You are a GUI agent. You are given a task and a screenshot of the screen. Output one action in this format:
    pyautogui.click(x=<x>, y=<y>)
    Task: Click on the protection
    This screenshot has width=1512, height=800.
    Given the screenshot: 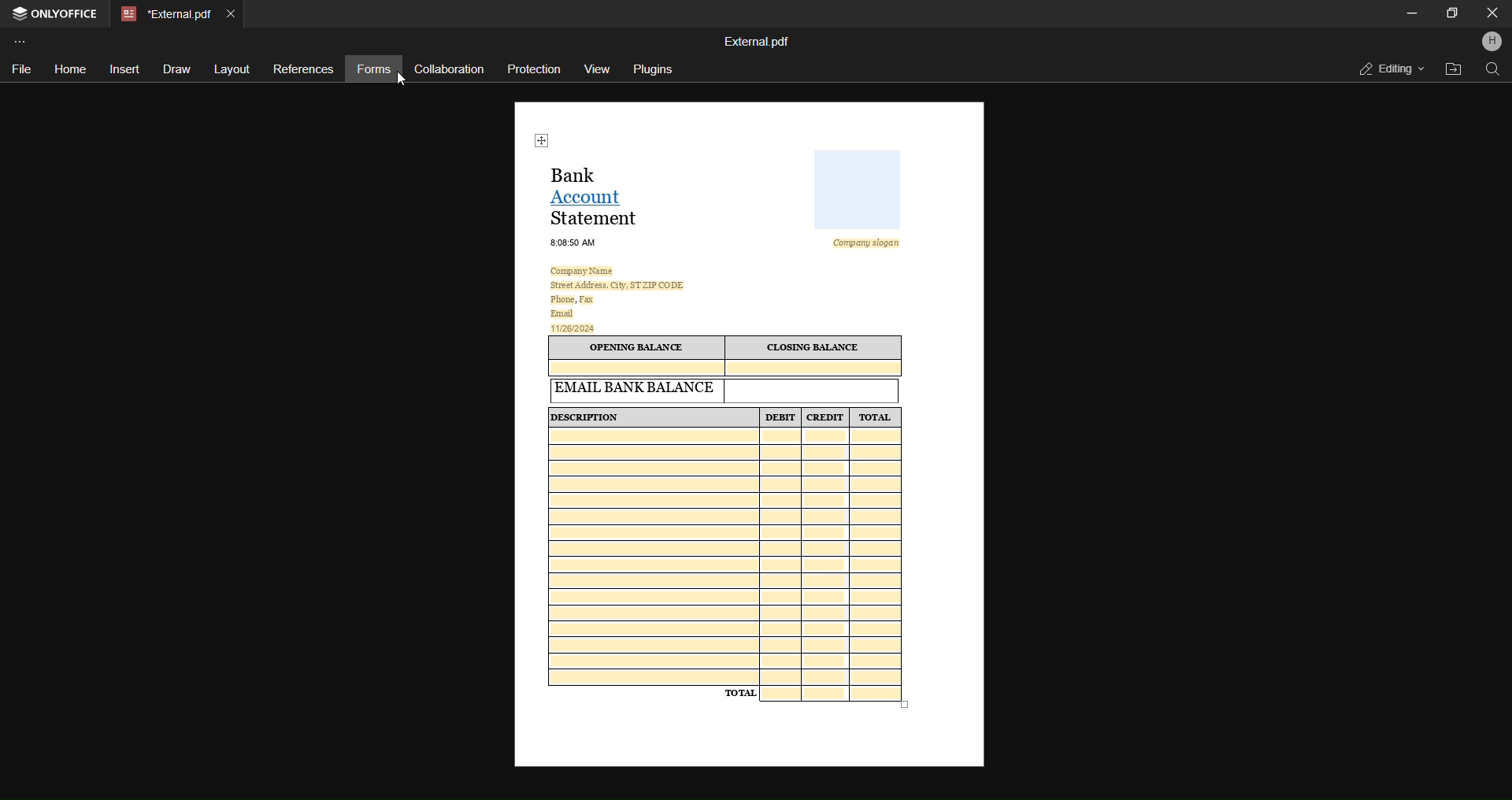 What is the action you would take?
    pyautogui.click(x=535, y=71)
    